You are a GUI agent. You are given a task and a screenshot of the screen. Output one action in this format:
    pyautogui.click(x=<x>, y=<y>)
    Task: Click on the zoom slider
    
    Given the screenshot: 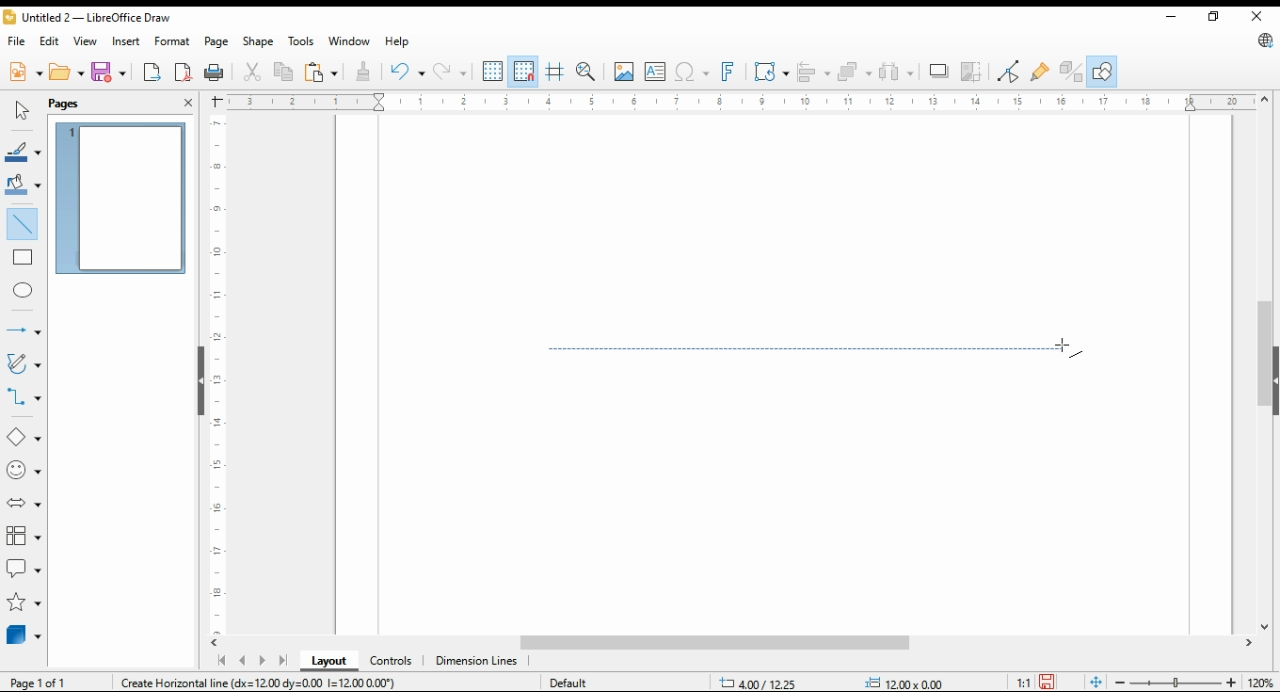 What is the action you would take?
    pyautogui.click(x=1173, y=682)
    